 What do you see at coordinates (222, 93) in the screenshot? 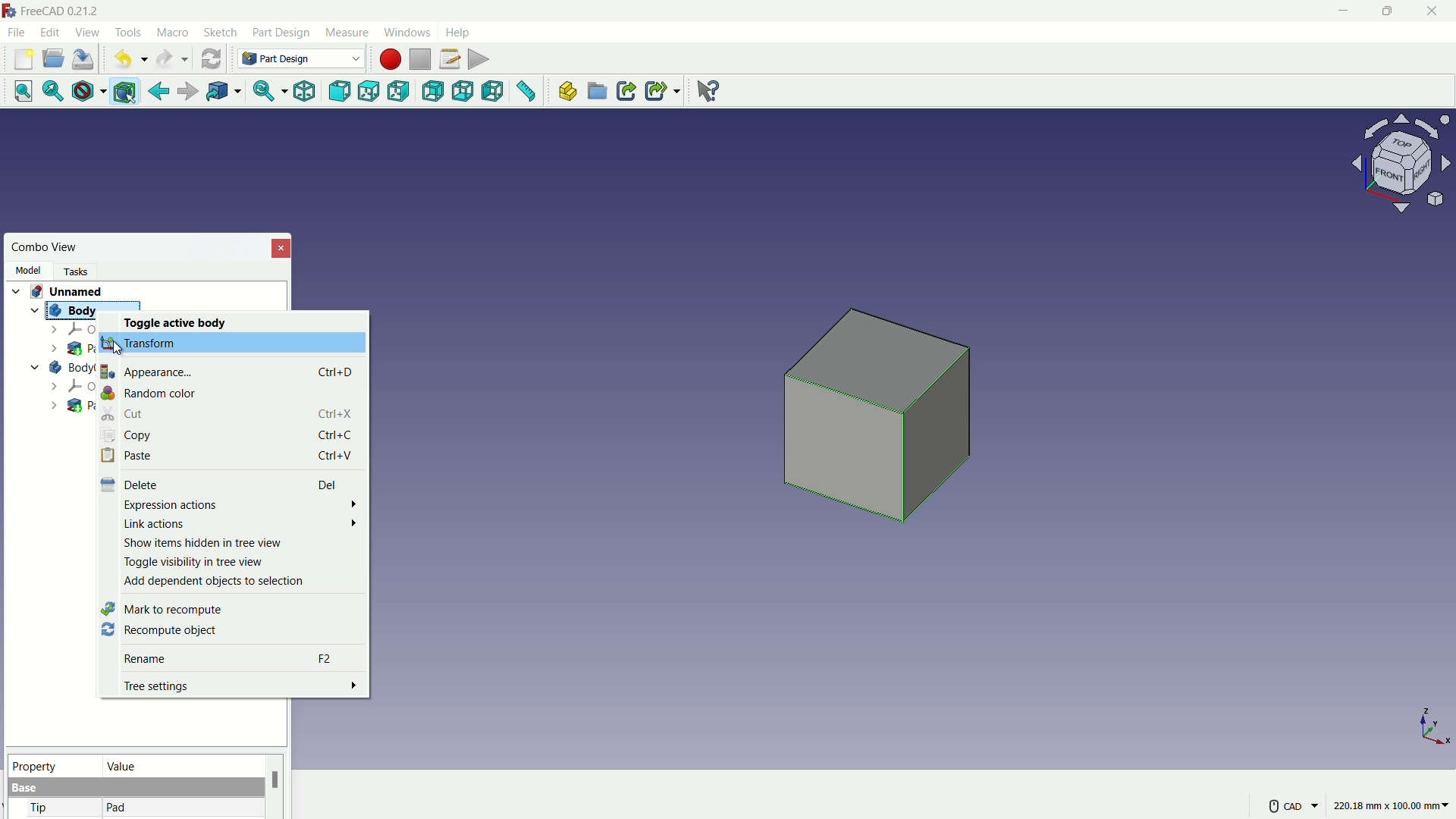
I see `go to linked object` at bounding box center [222, 93].